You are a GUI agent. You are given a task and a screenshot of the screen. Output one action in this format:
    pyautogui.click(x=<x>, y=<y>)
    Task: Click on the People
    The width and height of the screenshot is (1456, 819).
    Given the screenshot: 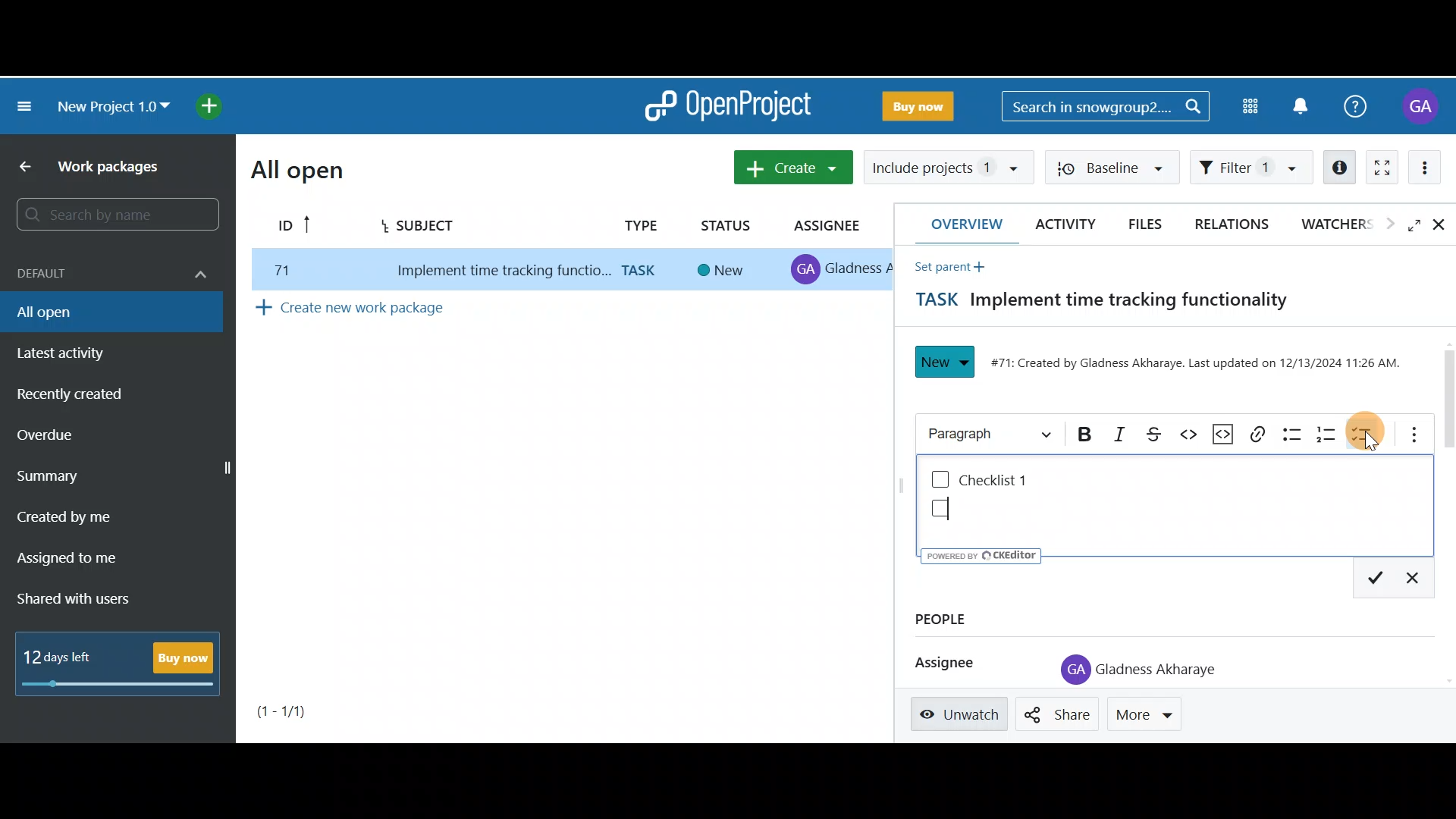 What is the action you would take?
    pyautogui.click(x=971, y=618)
    